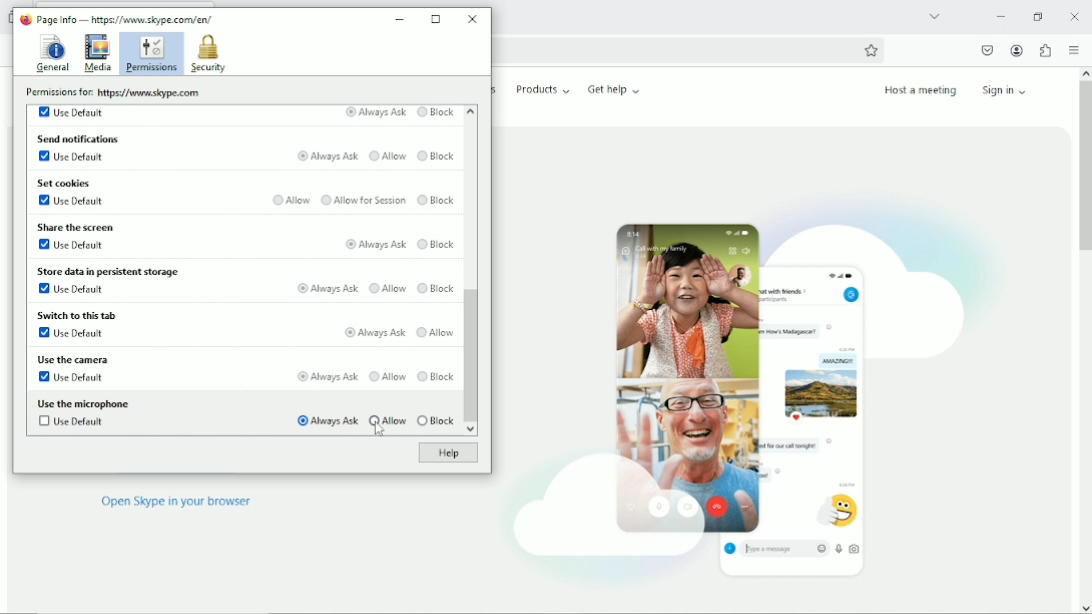  What do you see at coordinates (388, 419) in the screenshot?
I see `Allow` at bounding box center [388, 419].